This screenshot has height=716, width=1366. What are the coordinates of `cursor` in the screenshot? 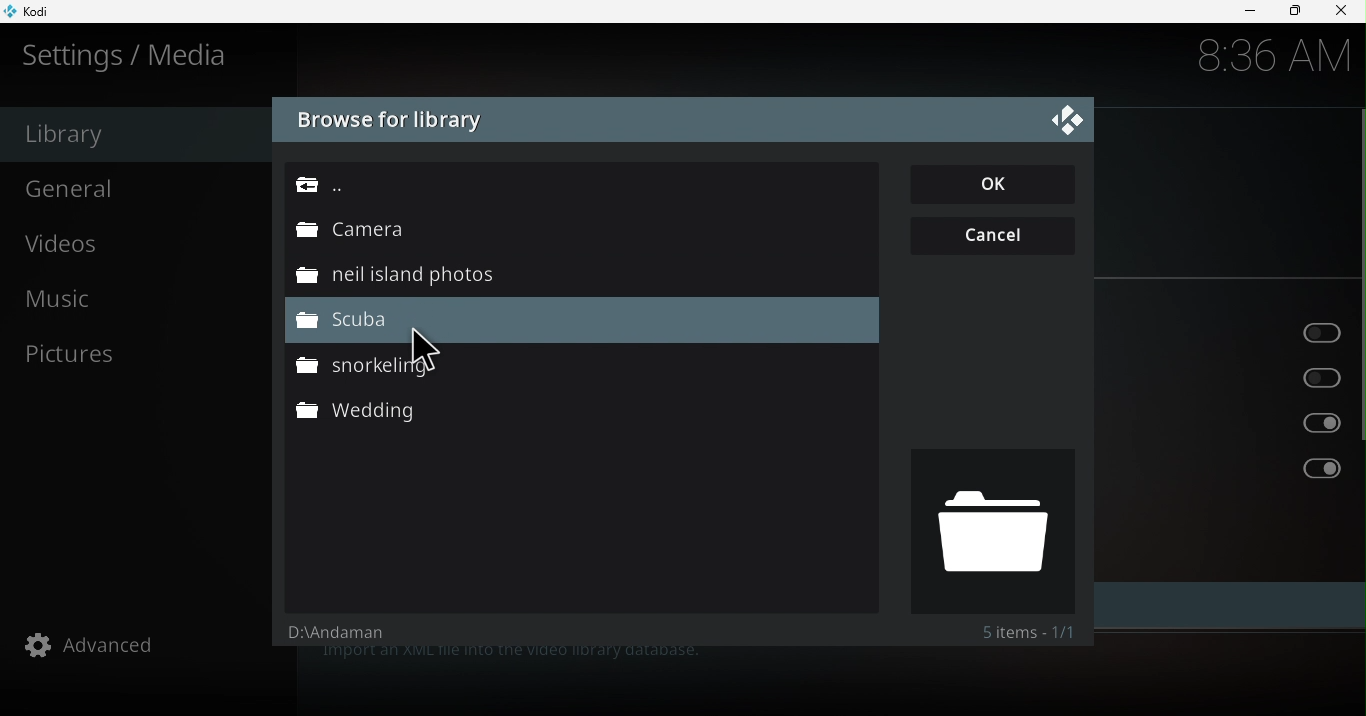 It's located at (428, 350).